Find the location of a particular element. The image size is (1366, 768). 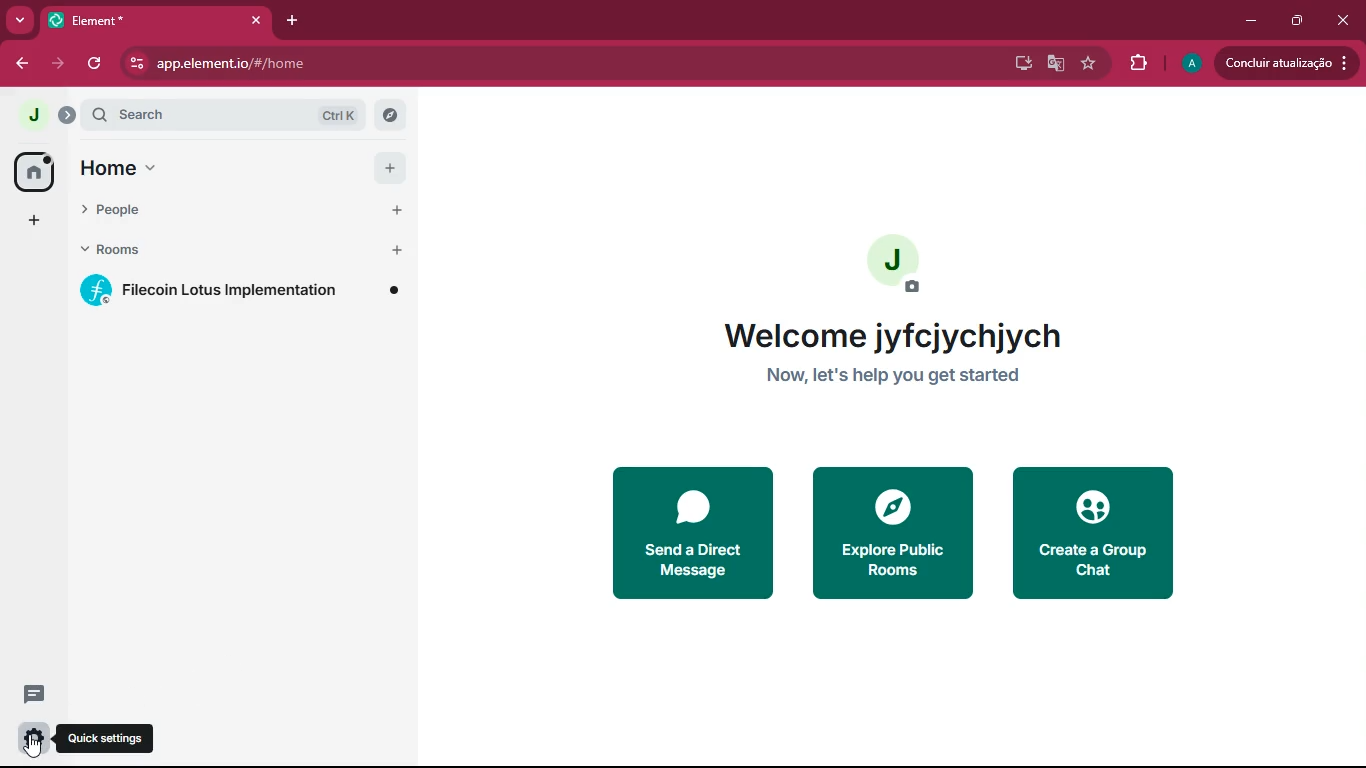

back is located at coordinates (16, 65).